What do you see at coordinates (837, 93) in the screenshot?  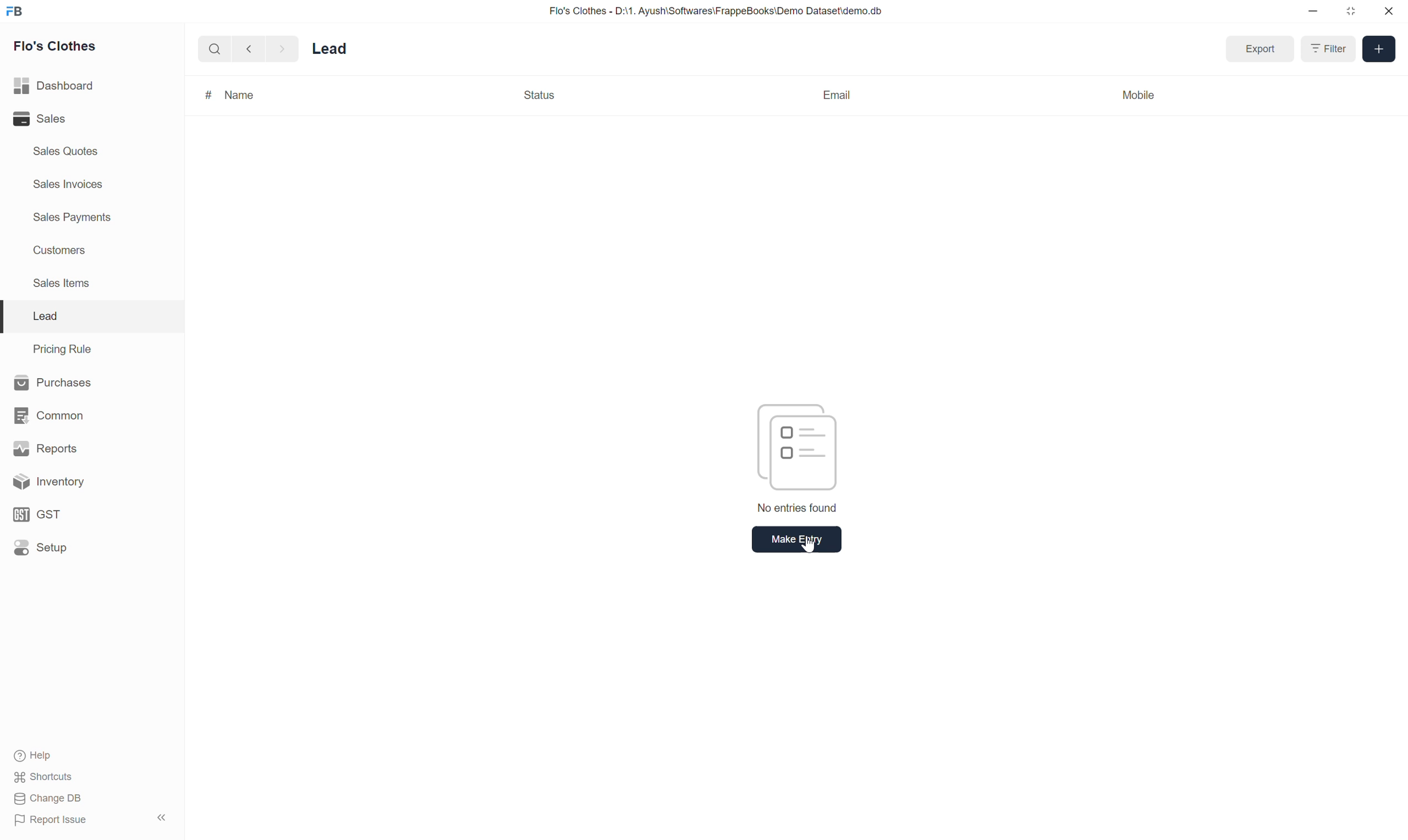 I see `Email` at bounding box center [837, 93].